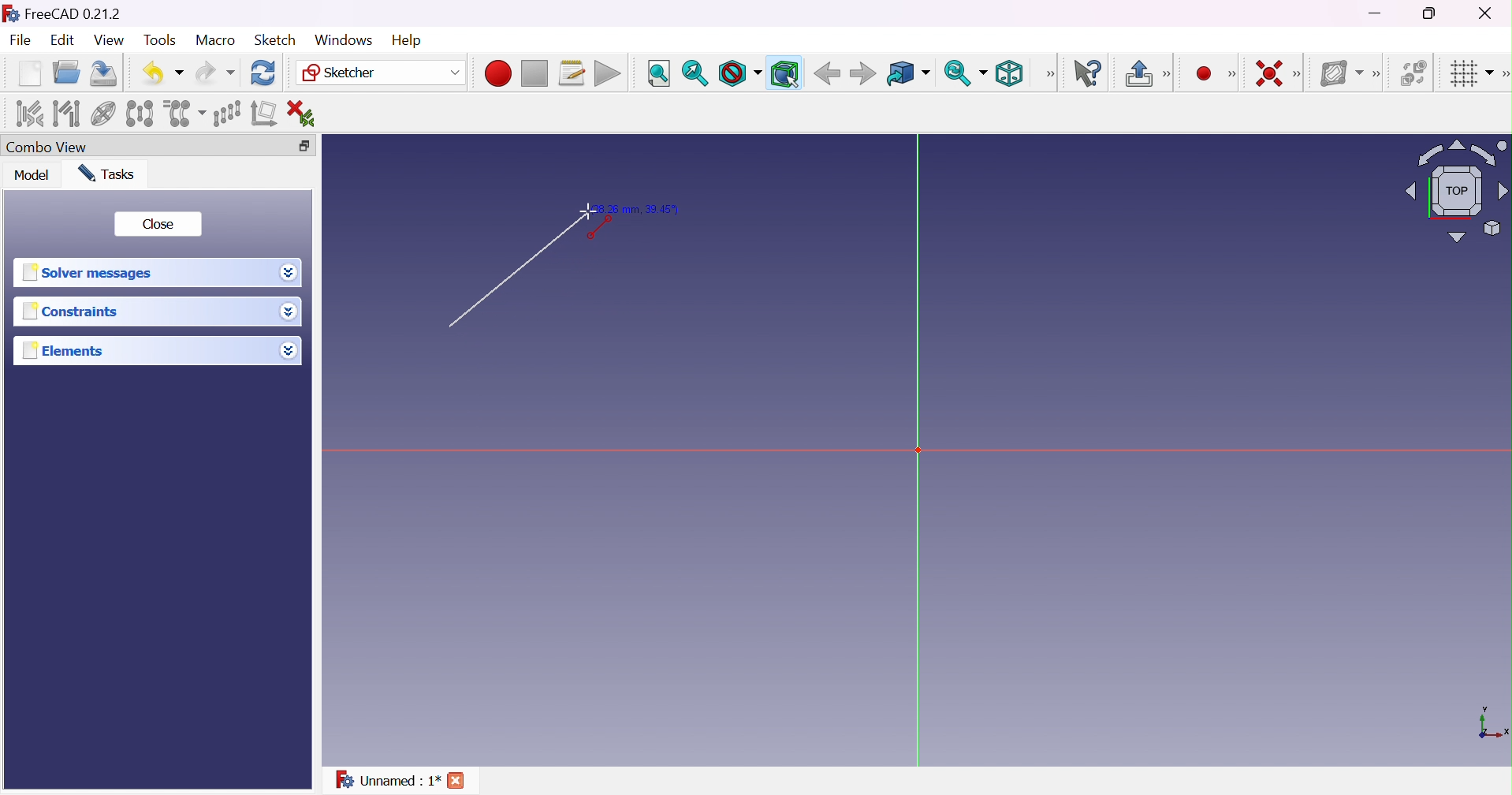 This screenshot has width=1512, height=795. I want to click on Fit all, so click(657, 73).